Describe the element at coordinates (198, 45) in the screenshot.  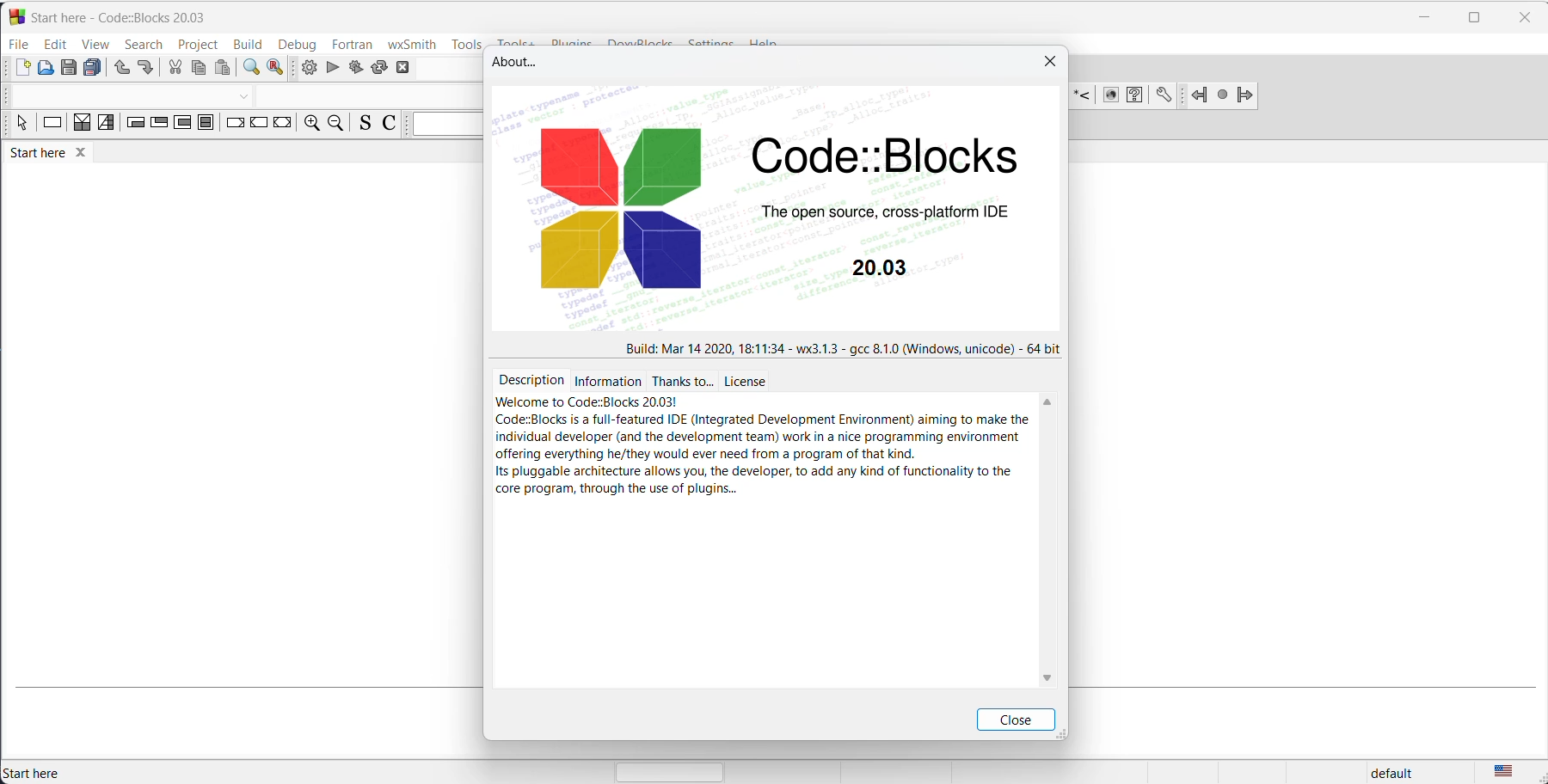
I see `project` at that location.